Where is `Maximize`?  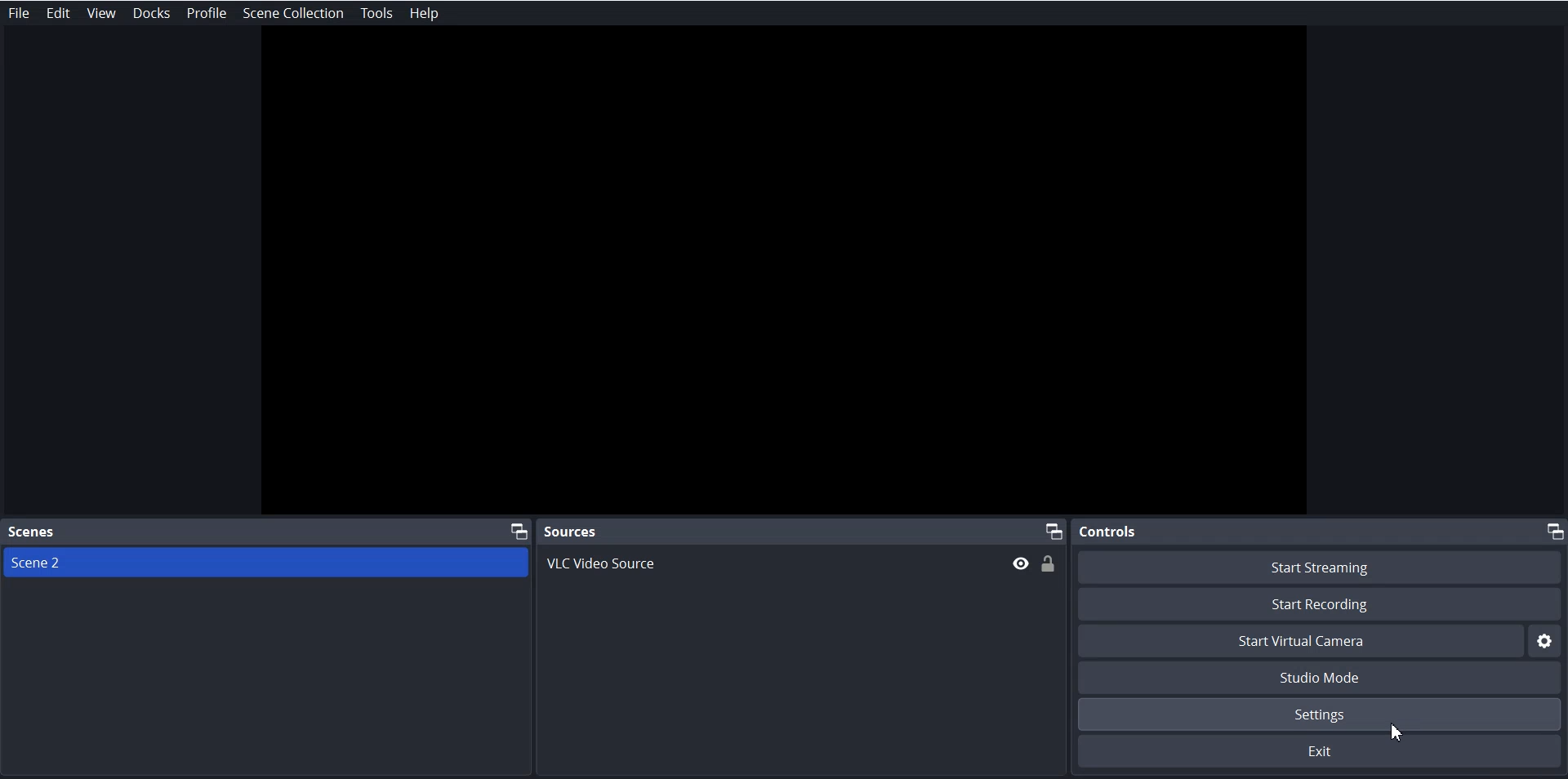 Maximize is located at coordinates (519, 530).